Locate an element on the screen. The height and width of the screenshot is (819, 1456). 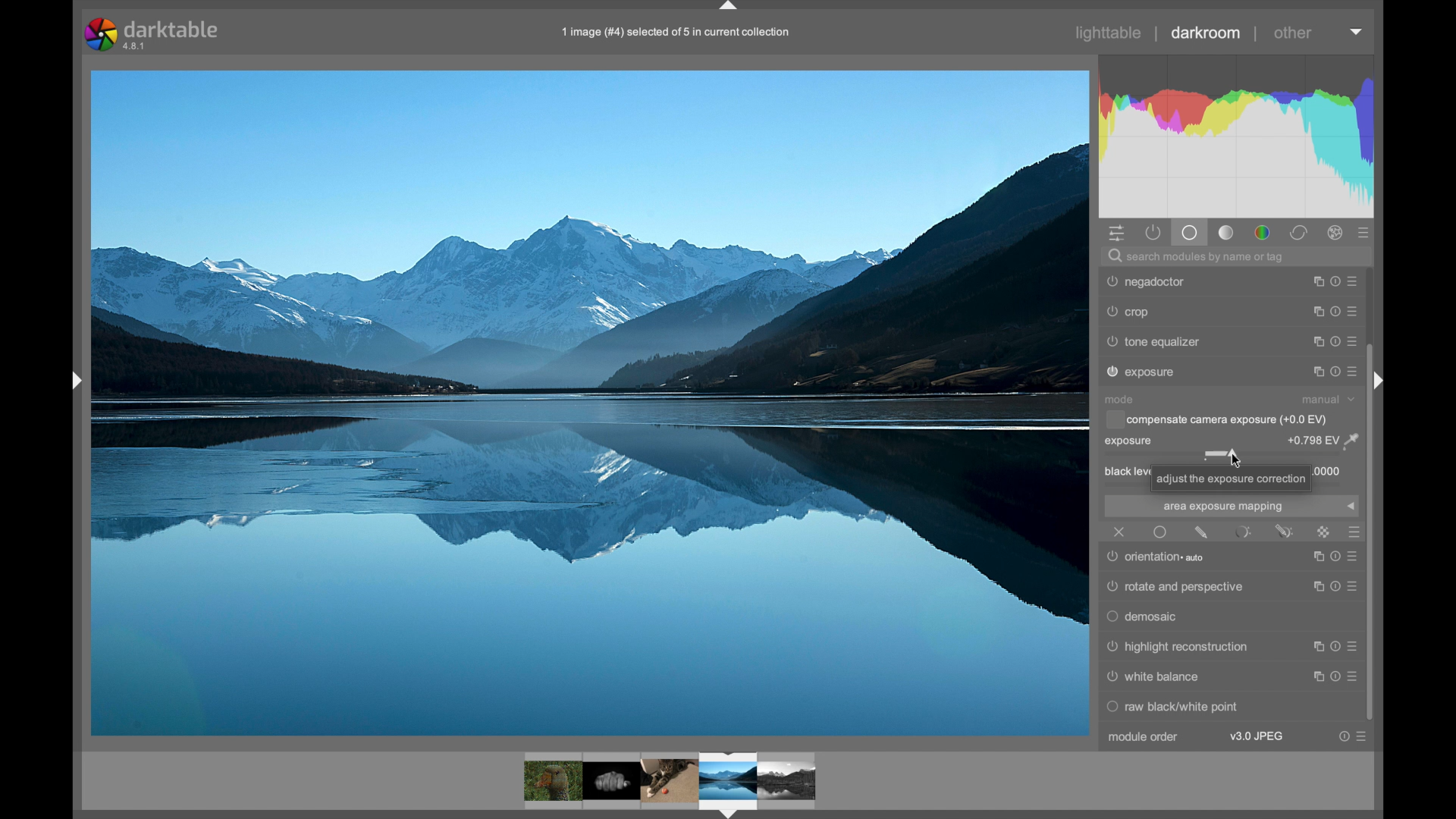
drawn mask is located at coordinates (1201, 532).